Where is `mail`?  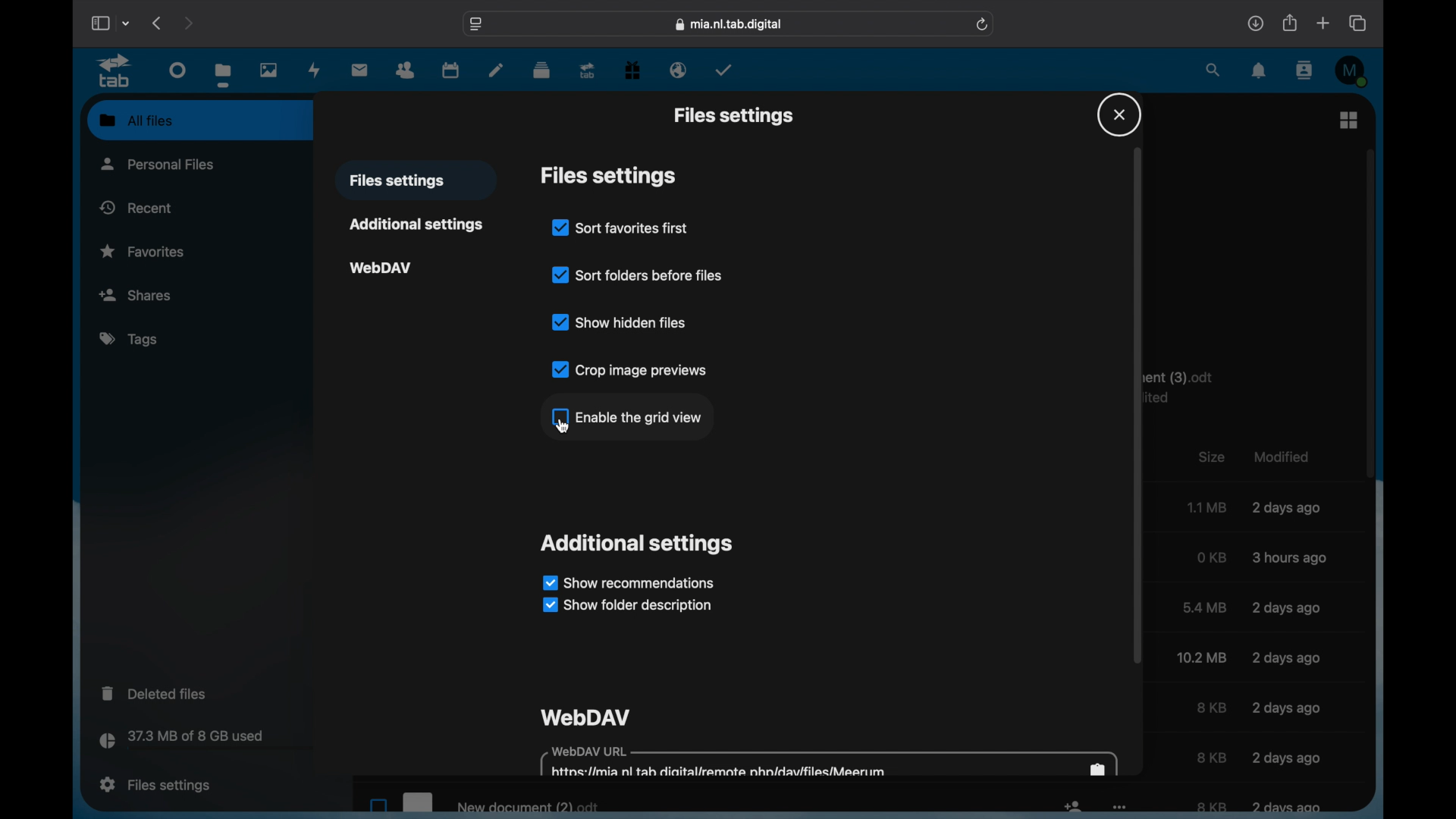
mail is located at coordinates (360, 70).